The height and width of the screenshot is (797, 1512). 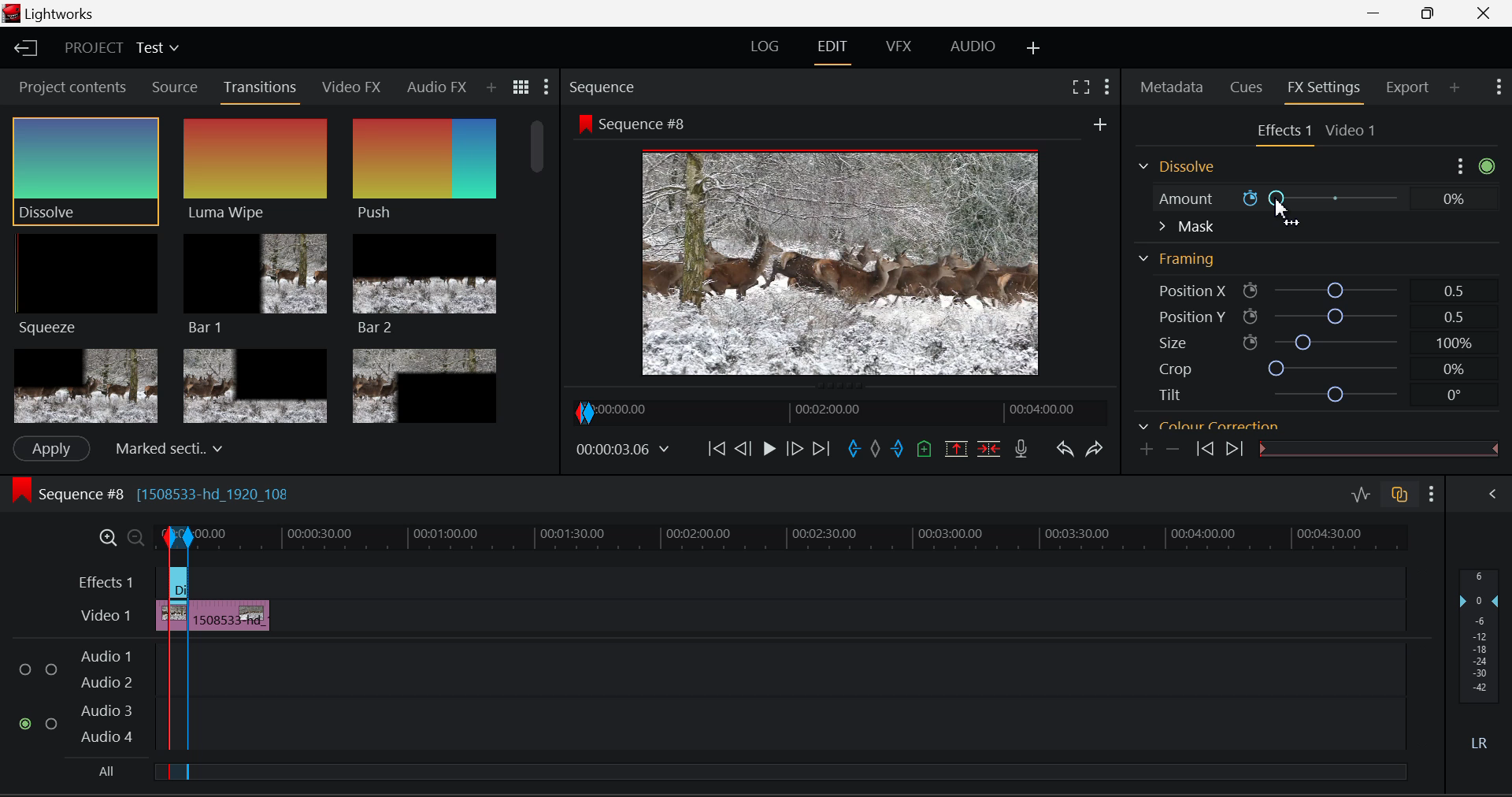 I want to click on Sequence #8 Preview Screen, so click(x=841, y=246).